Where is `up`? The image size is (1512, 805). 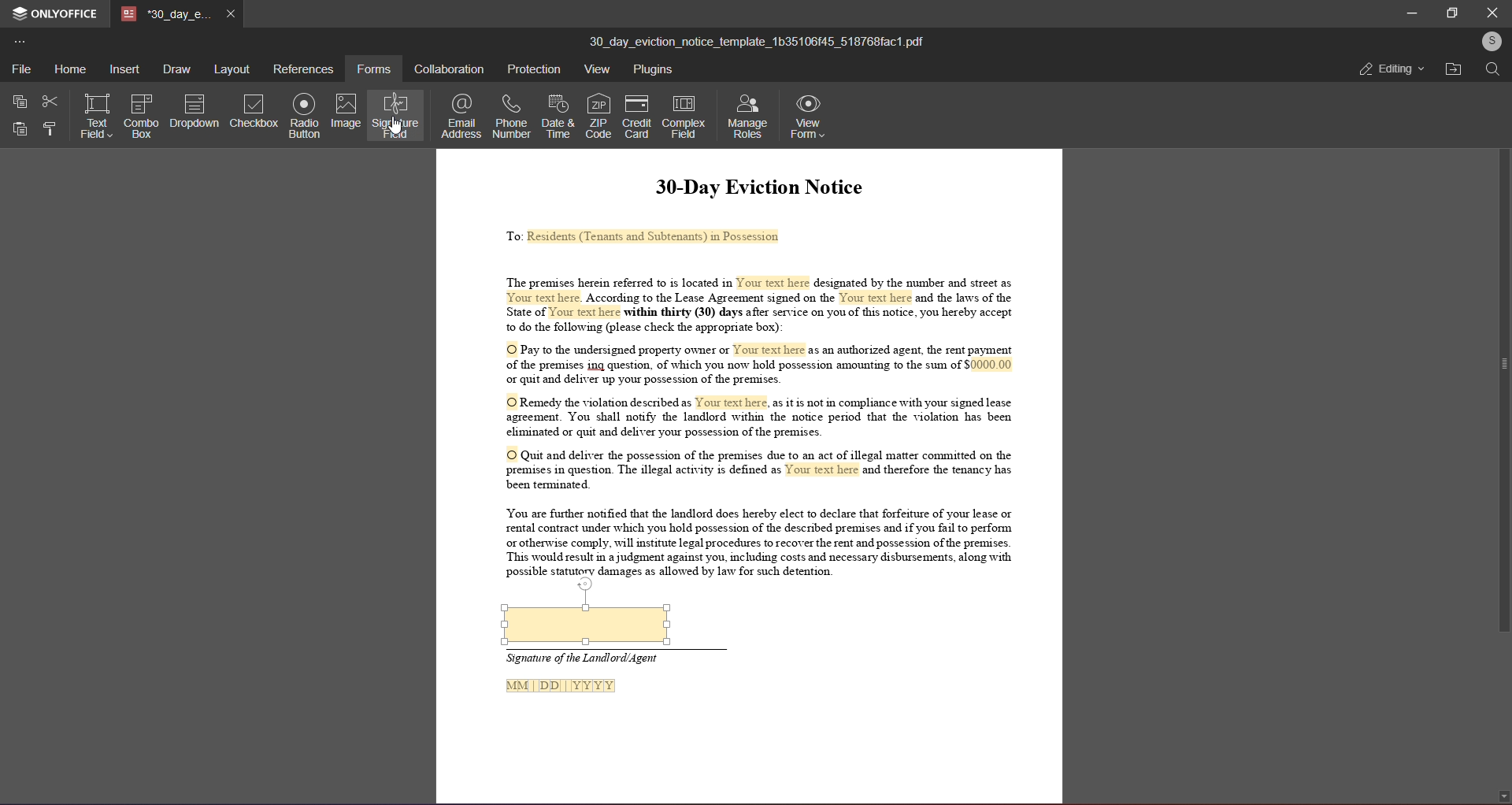
up is located at coordinates (1500, 91).